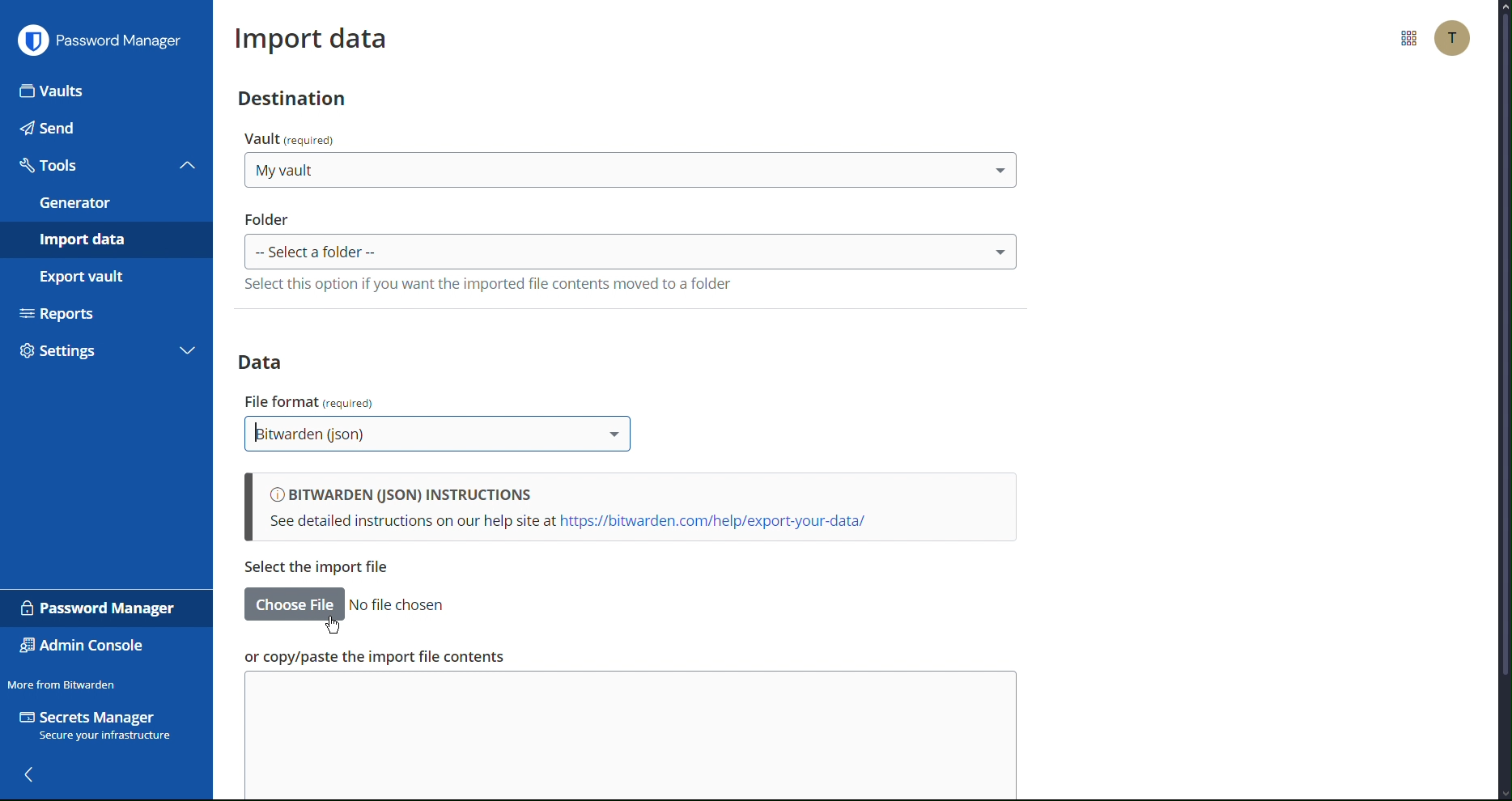 This screenshot has width=1512, height=801. Describe the element at coordinates (397, 603) in the screenshot. I see `no file chosen` at that location.